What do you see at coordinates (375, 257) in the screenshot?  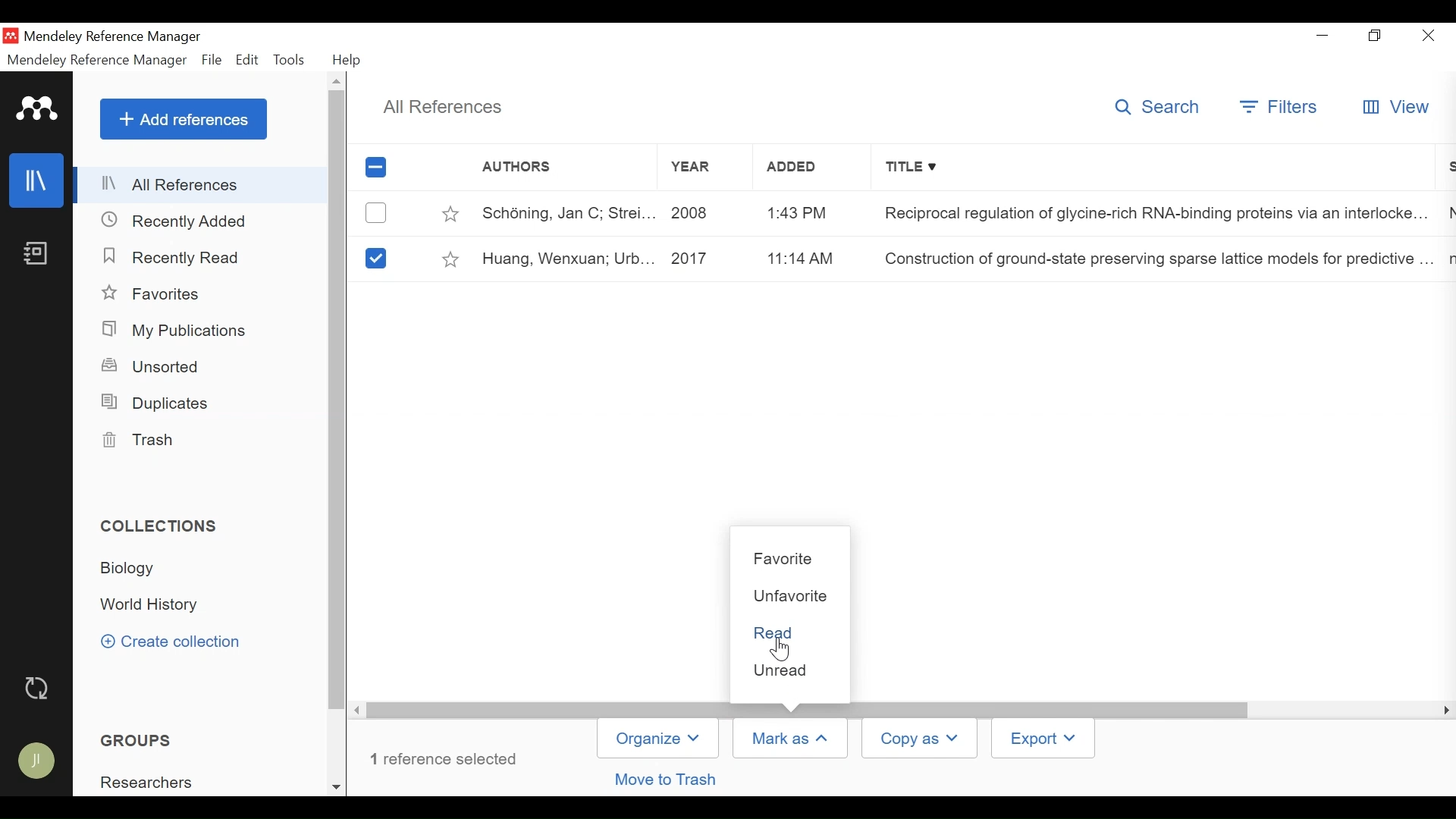 I see `select` at bounding box center [375, 257].